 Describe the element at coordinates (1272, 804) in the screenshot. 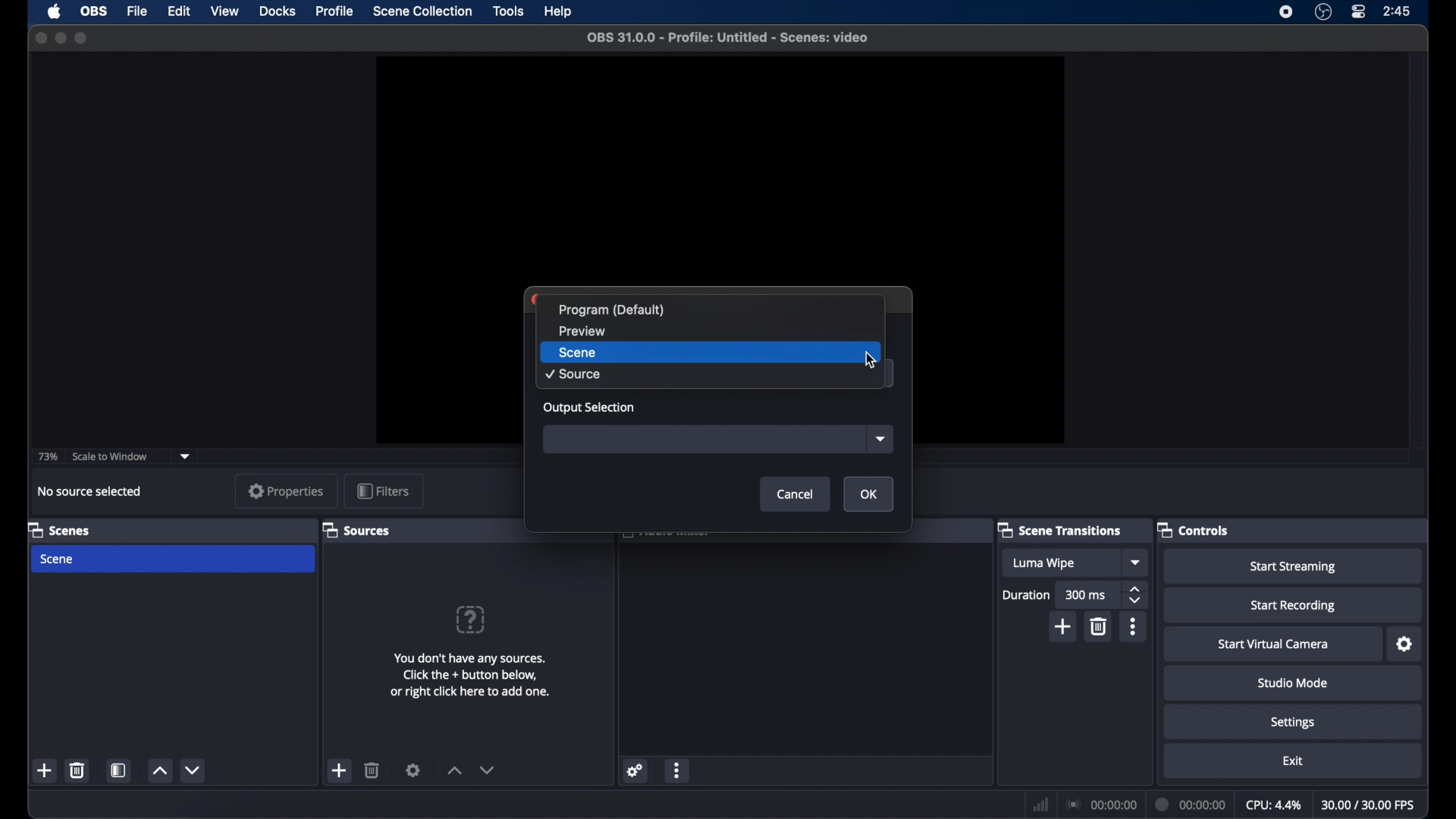

I see `cpu` at that location.